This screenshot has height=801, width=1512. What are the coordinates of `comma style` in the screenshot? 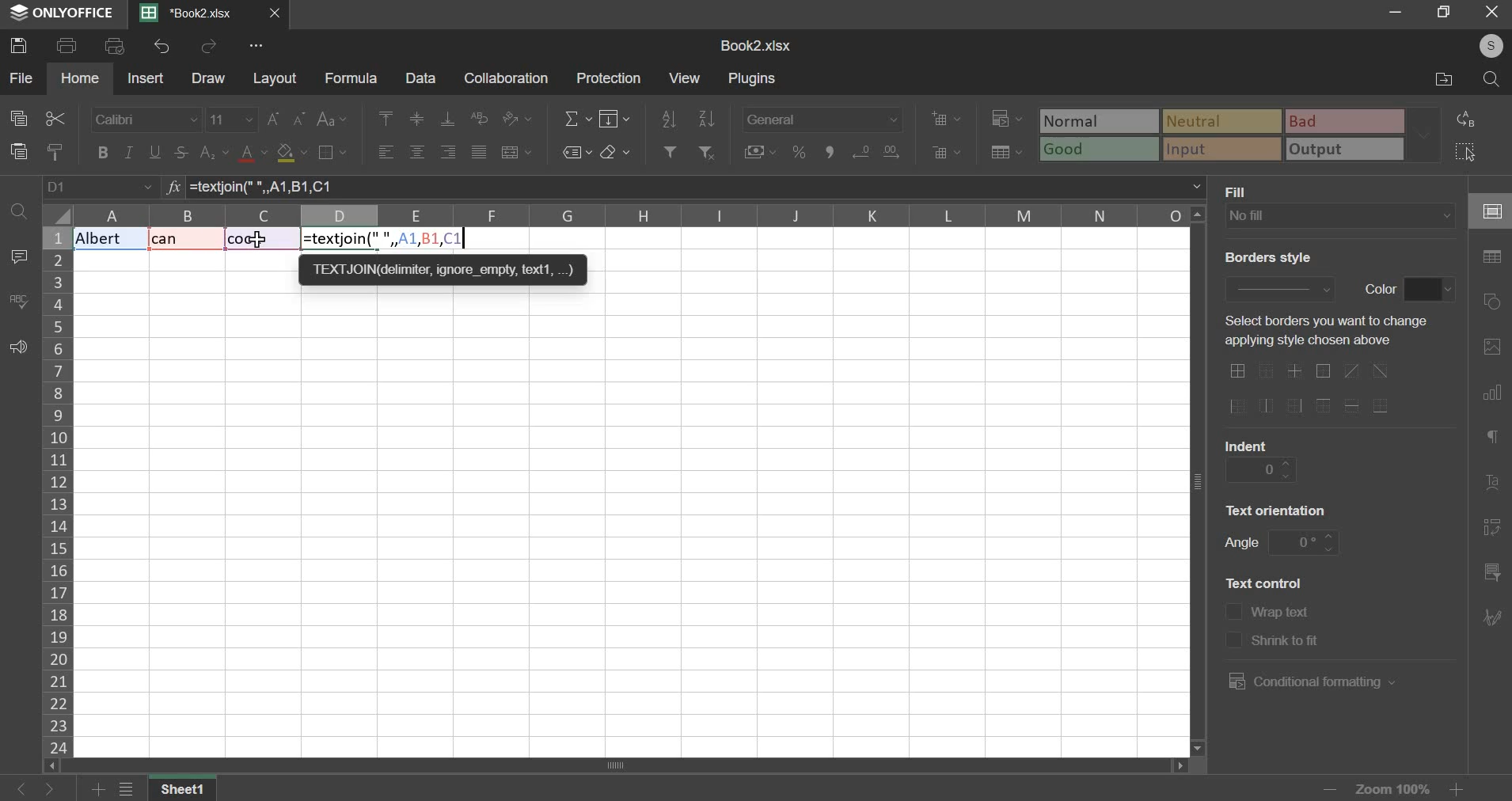 It's located at (833, 152).